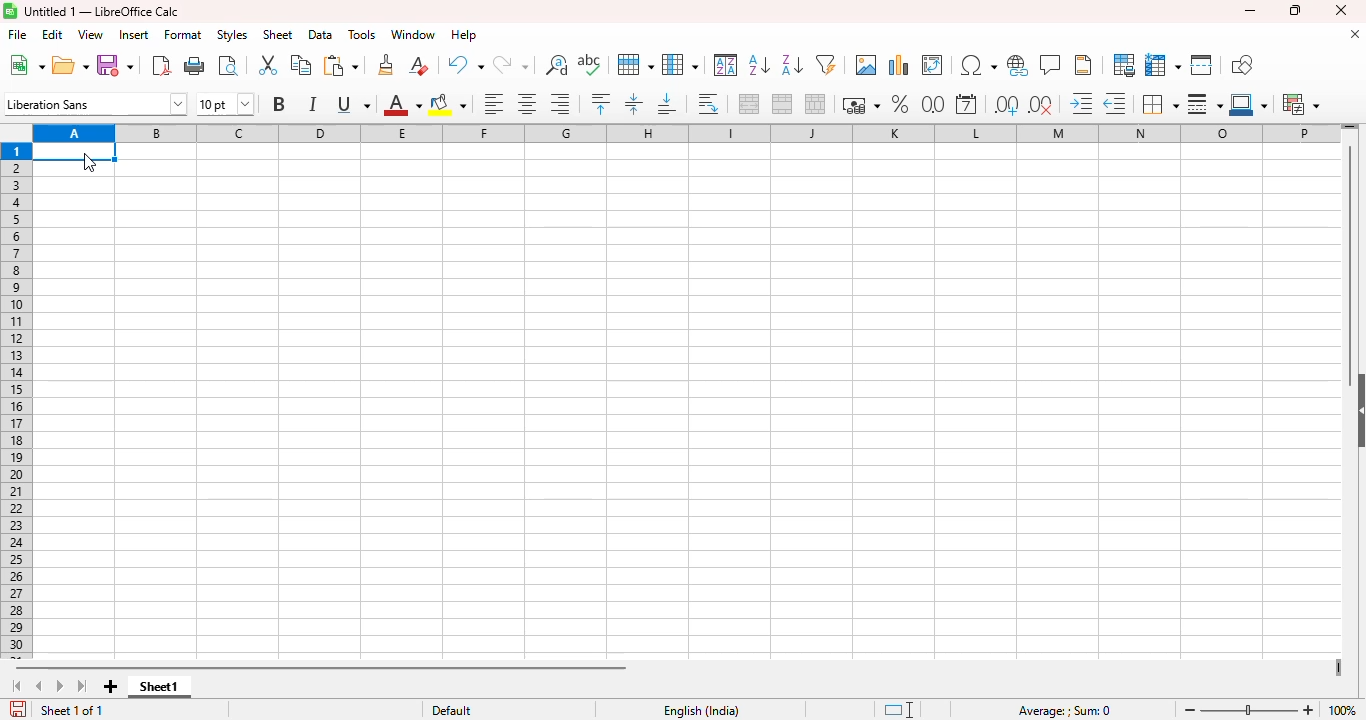 The width and height of the screenshot is (1366, 720). Describe the element at coordinates (312, 104) in the screenshot. I see `italic` at that location.